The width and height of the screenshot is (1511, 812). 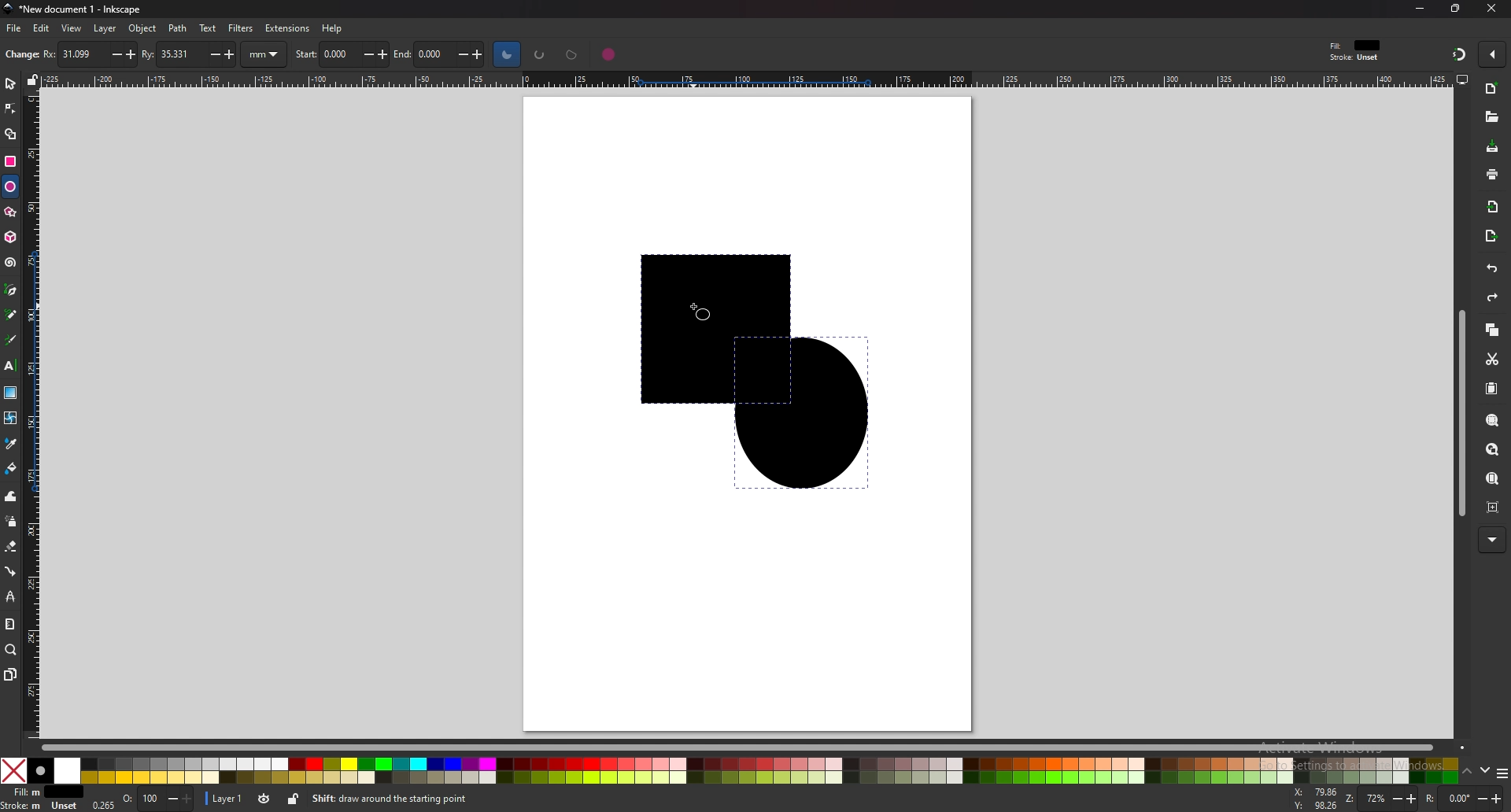 I want to click on eraser, so click(x=11, y=546).